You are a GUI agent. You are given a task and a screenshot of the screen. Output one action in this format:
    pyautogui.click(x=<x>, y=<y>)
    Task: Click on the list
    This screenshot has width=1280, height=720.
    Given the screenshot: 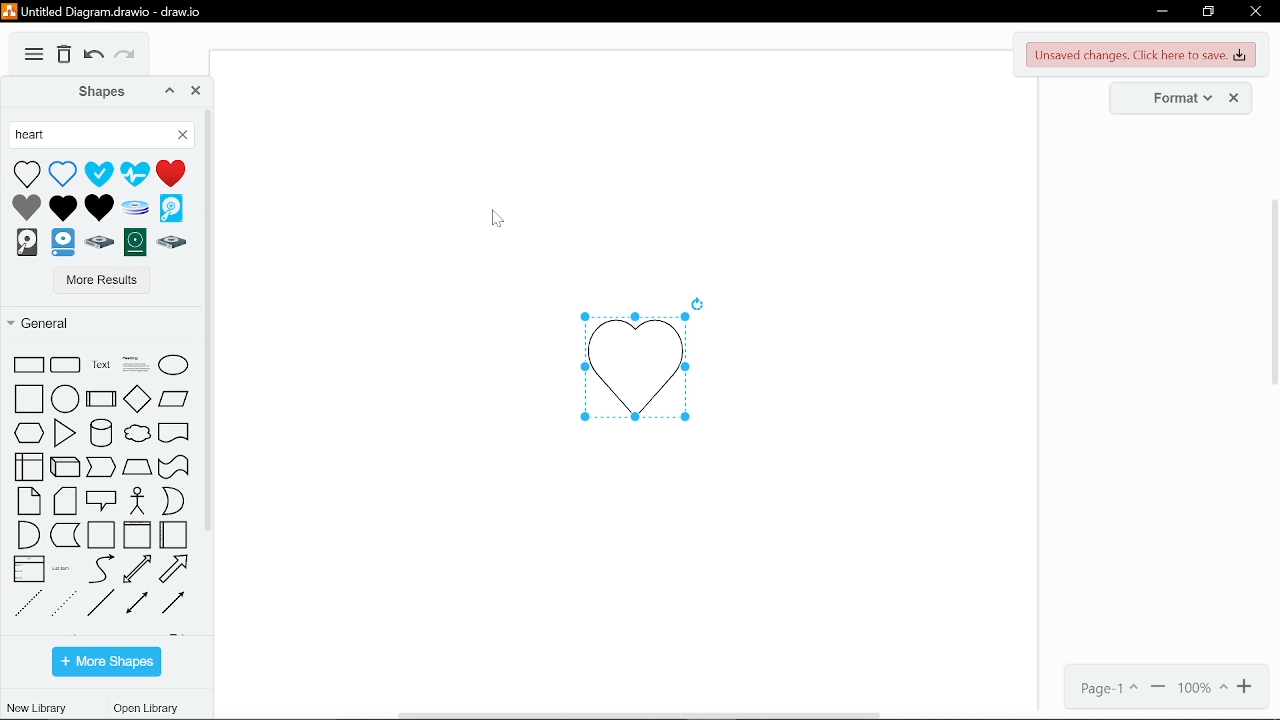 What is the action you would take?
    pyautogui.click(x=30, y=569)
    